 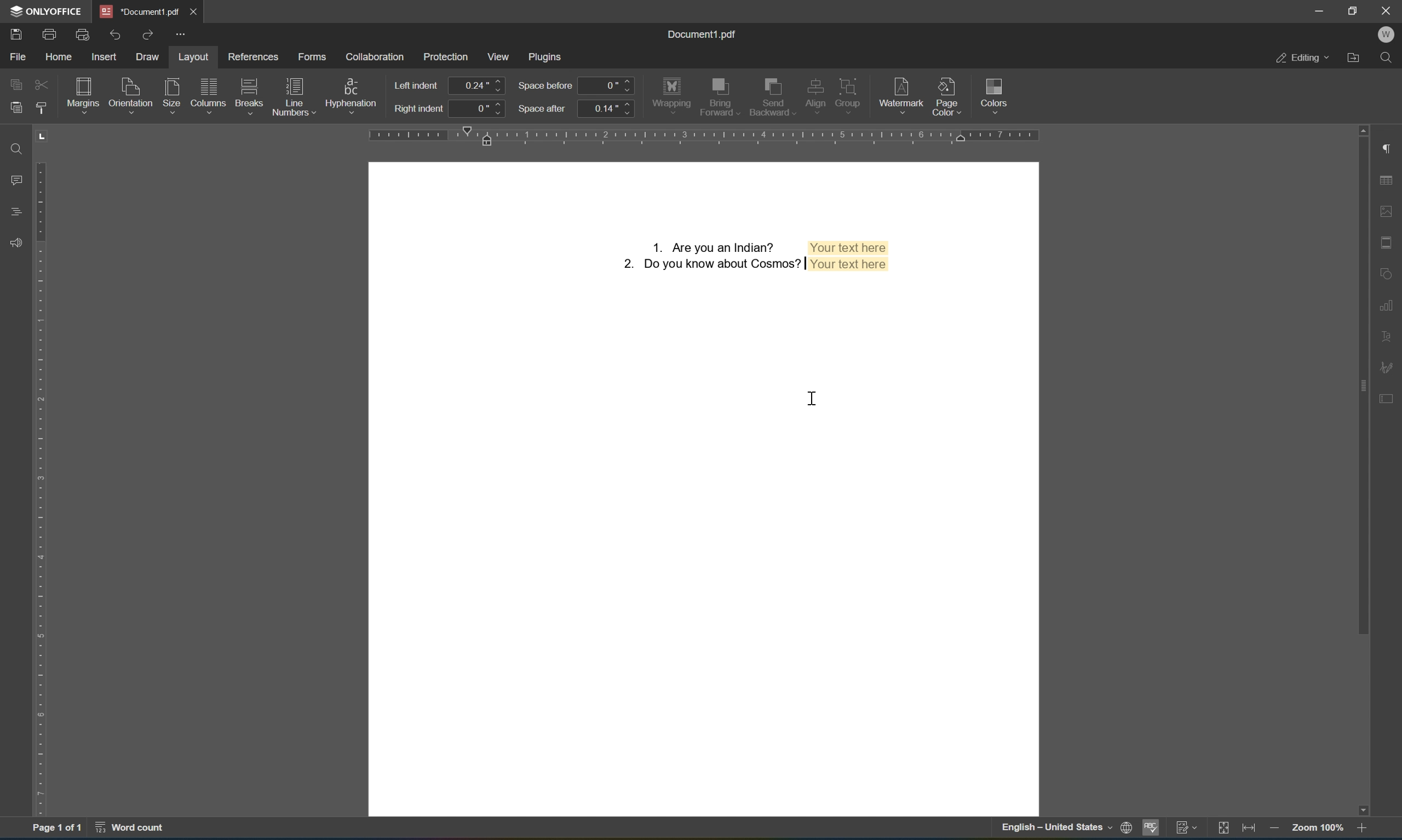 What do you see at coordinates (174, 95) in the screenshot?
I see `size` at bounding box center [174, 95].